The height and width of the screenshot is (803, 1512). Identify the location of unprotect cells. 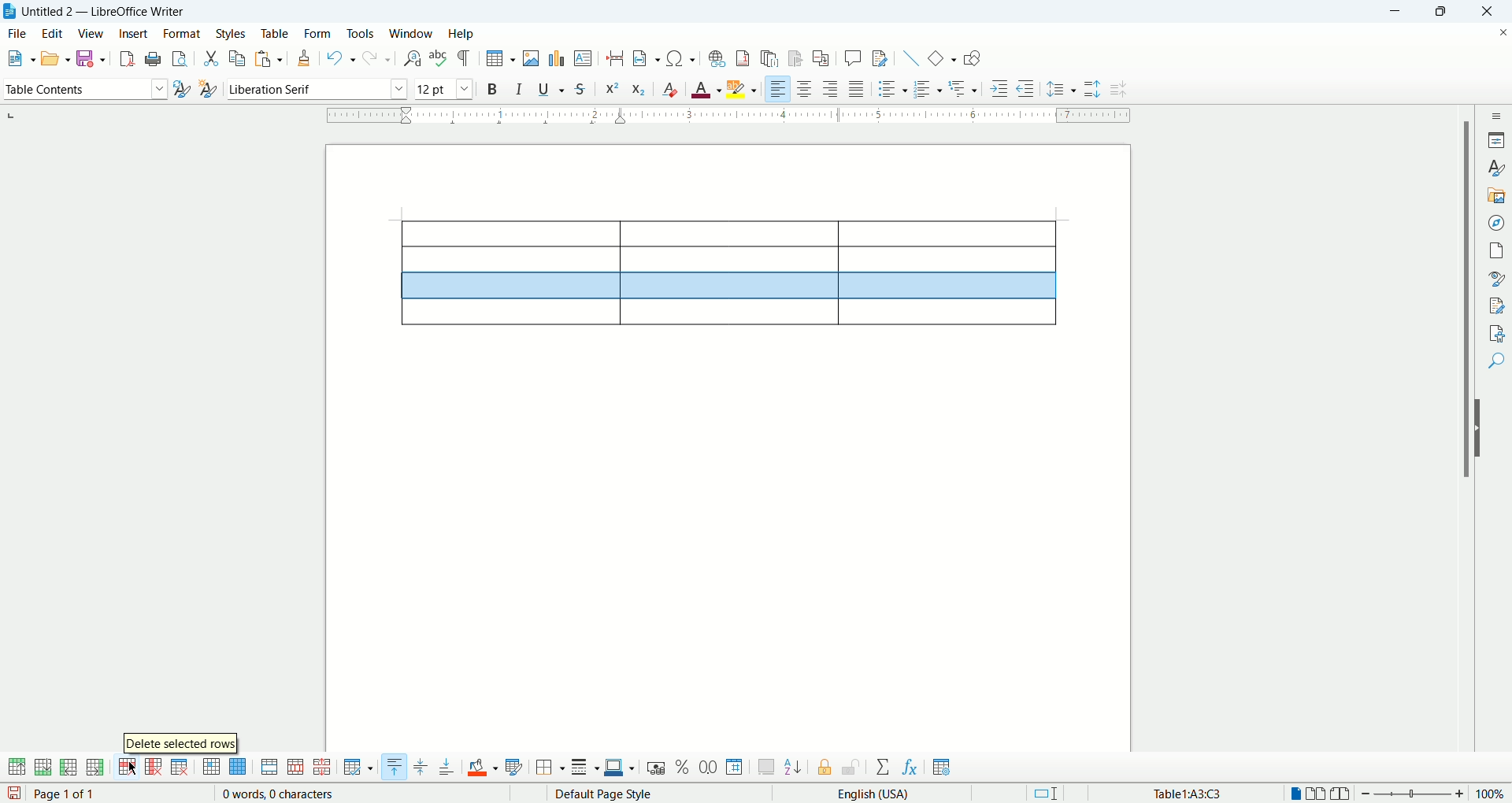
(850, 768).